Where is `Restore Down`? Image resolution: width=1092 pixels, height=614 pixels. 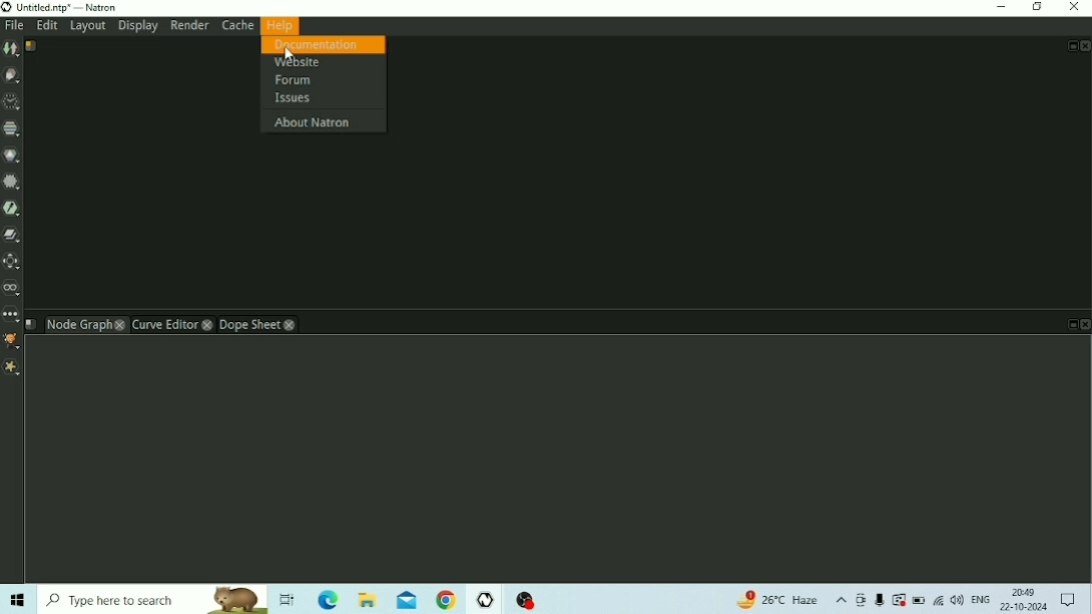 Restore Down is located at coordinates (1038, 7).